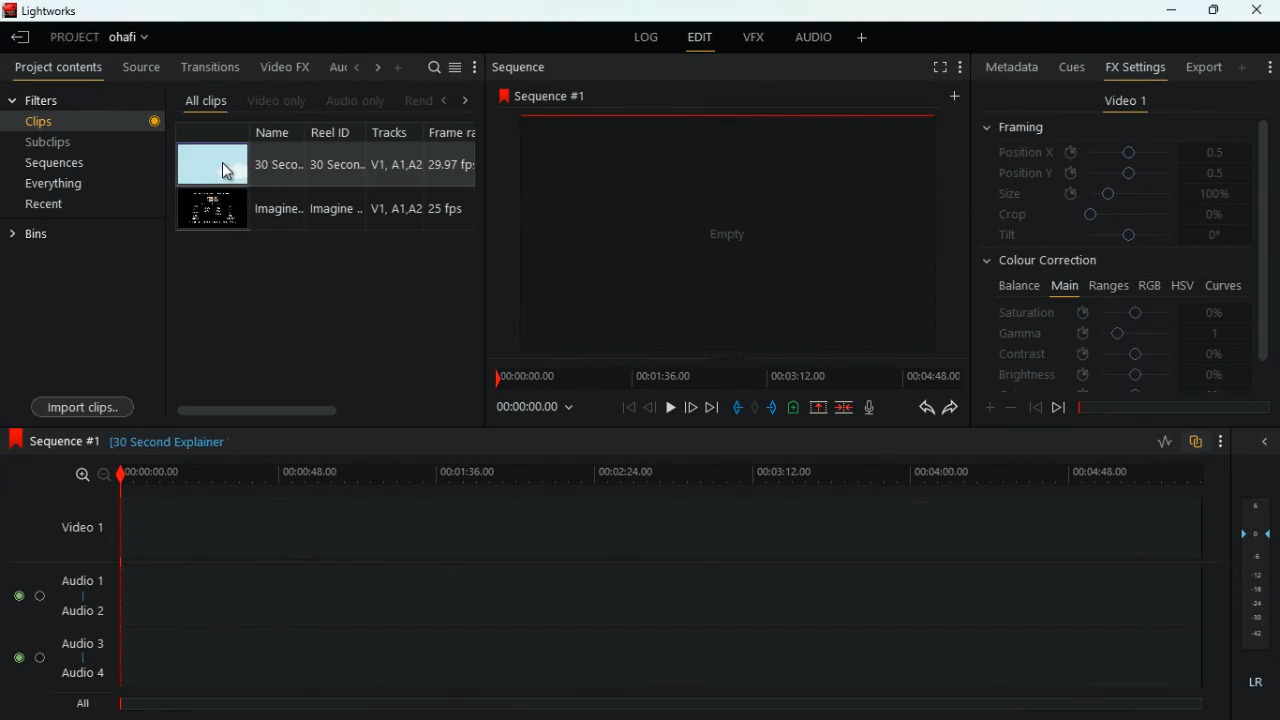 Image resolution: width=1280 pixels, height=720 pixels. I want to click on Lighworks logo, so click(8, 10).